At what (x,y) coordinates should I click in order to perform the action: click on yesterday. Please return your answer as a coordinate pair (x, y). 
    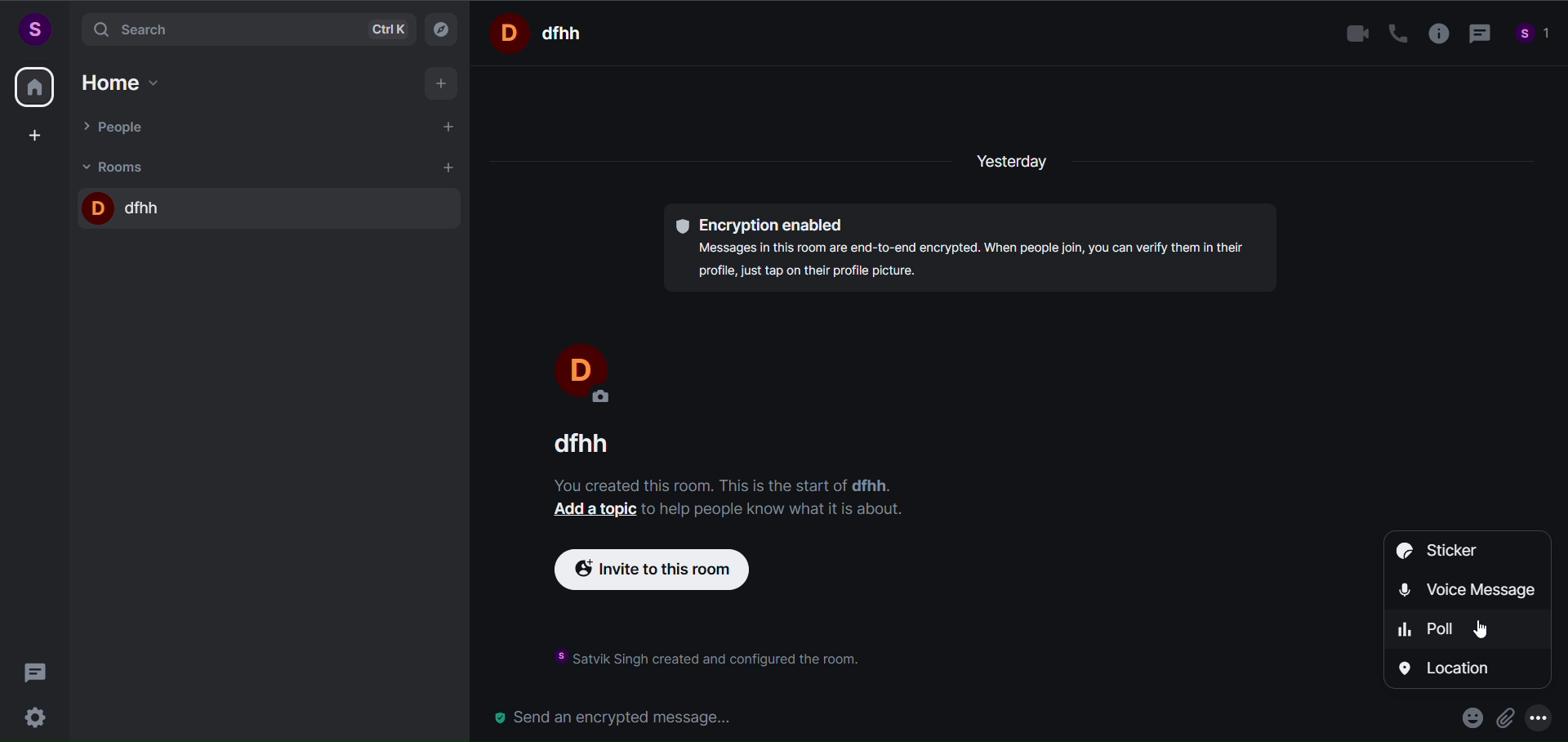
    Looking at the image, I should click on (1019, 163).